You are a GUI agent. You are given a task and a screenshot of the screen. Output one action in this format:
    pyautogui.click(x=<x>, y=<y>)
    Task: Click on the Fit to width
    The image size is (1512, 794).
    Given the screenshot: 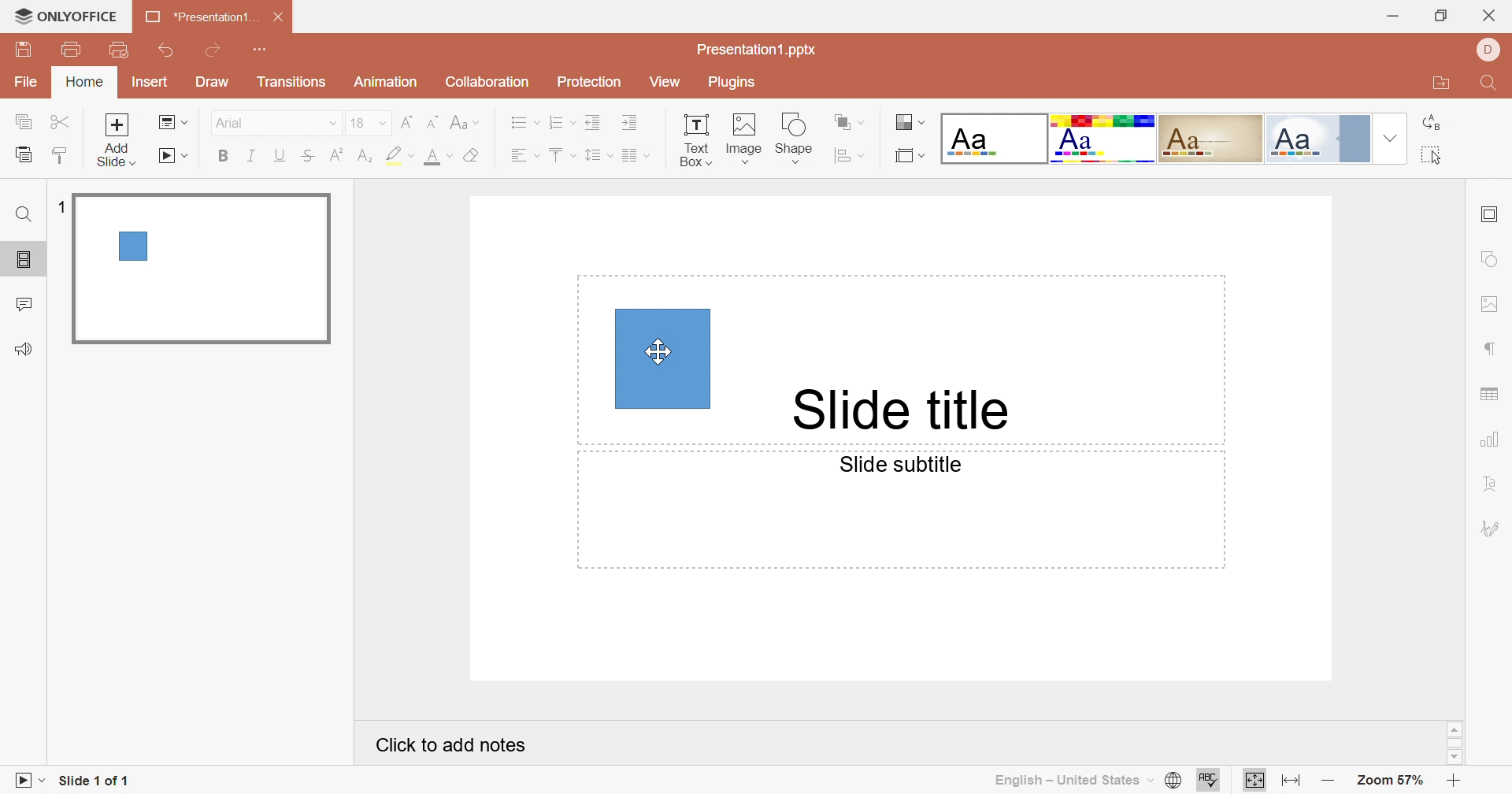 What is the action you would take?
    pyautogui.click(x=1288, y=781)
    